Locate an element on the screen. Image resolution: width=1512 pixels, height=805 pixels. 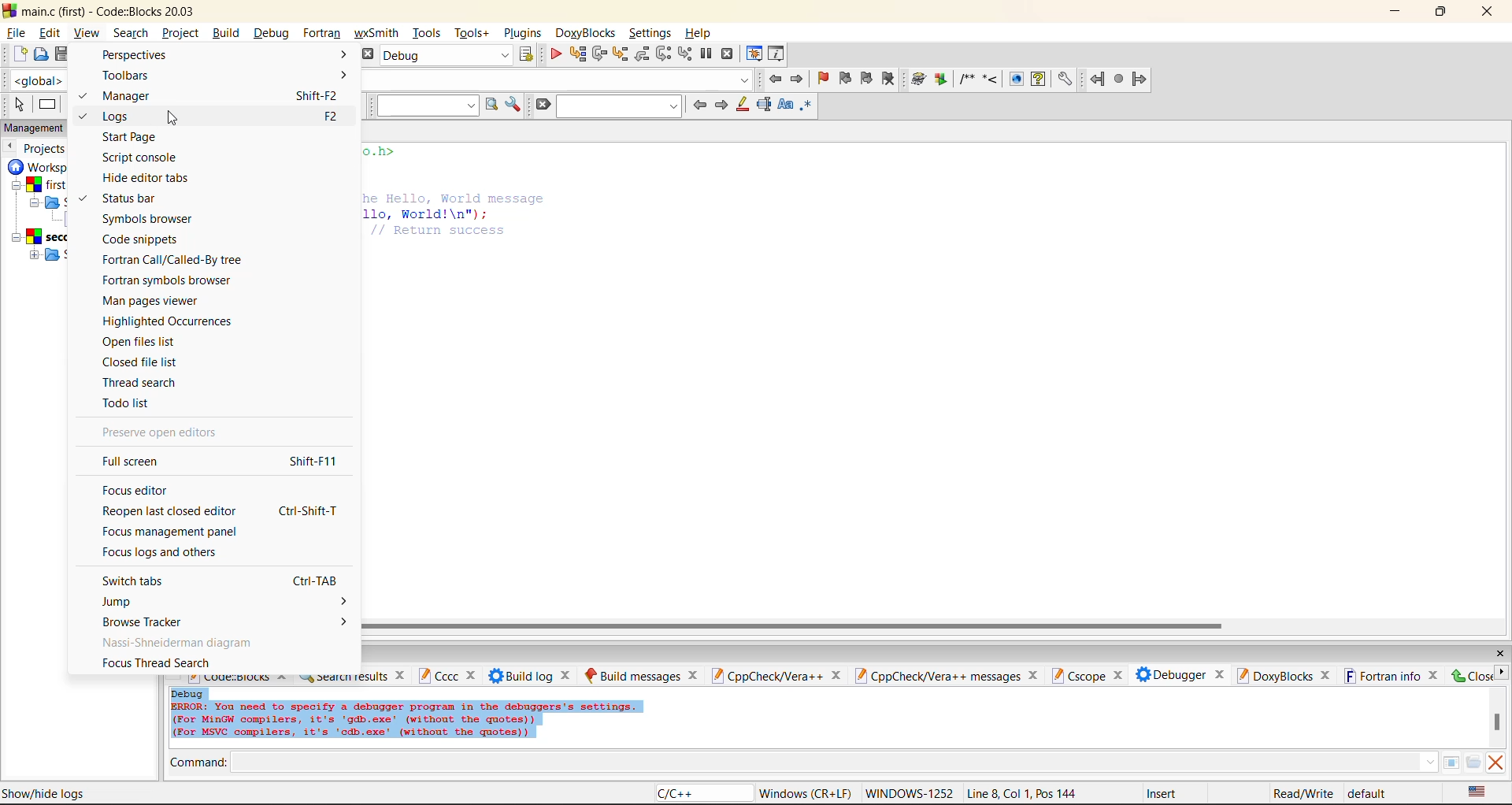
jump back is located at coordinates (1099, 79).